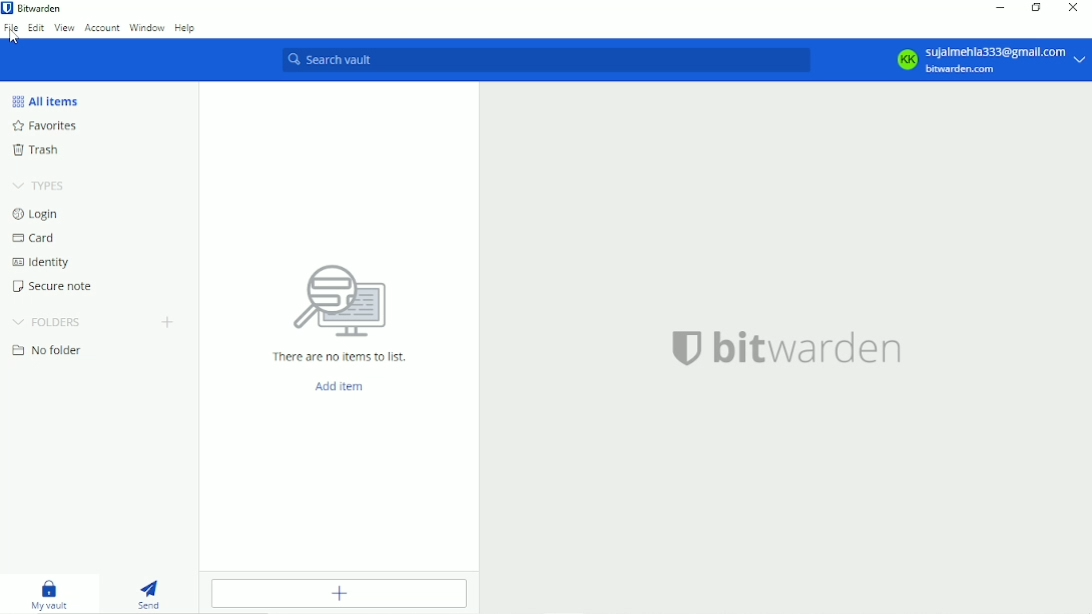 This screenshot has width=1092, height=614. Describe the element at coordinates (41, 184) in the screenshot. I see `Types` at that location.